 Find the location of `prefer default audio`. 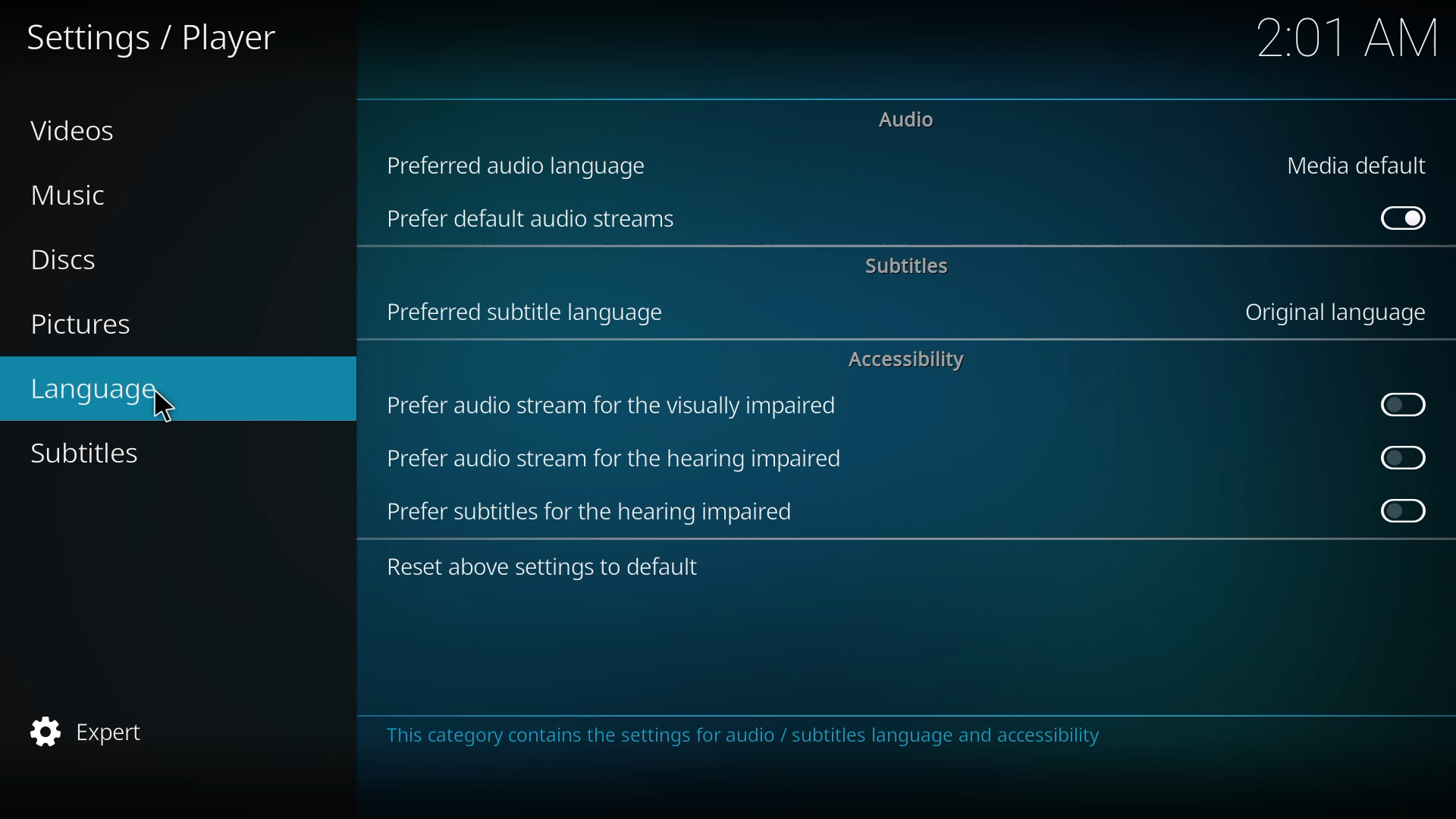

prefer default audio is located at coordinates (534, 221).